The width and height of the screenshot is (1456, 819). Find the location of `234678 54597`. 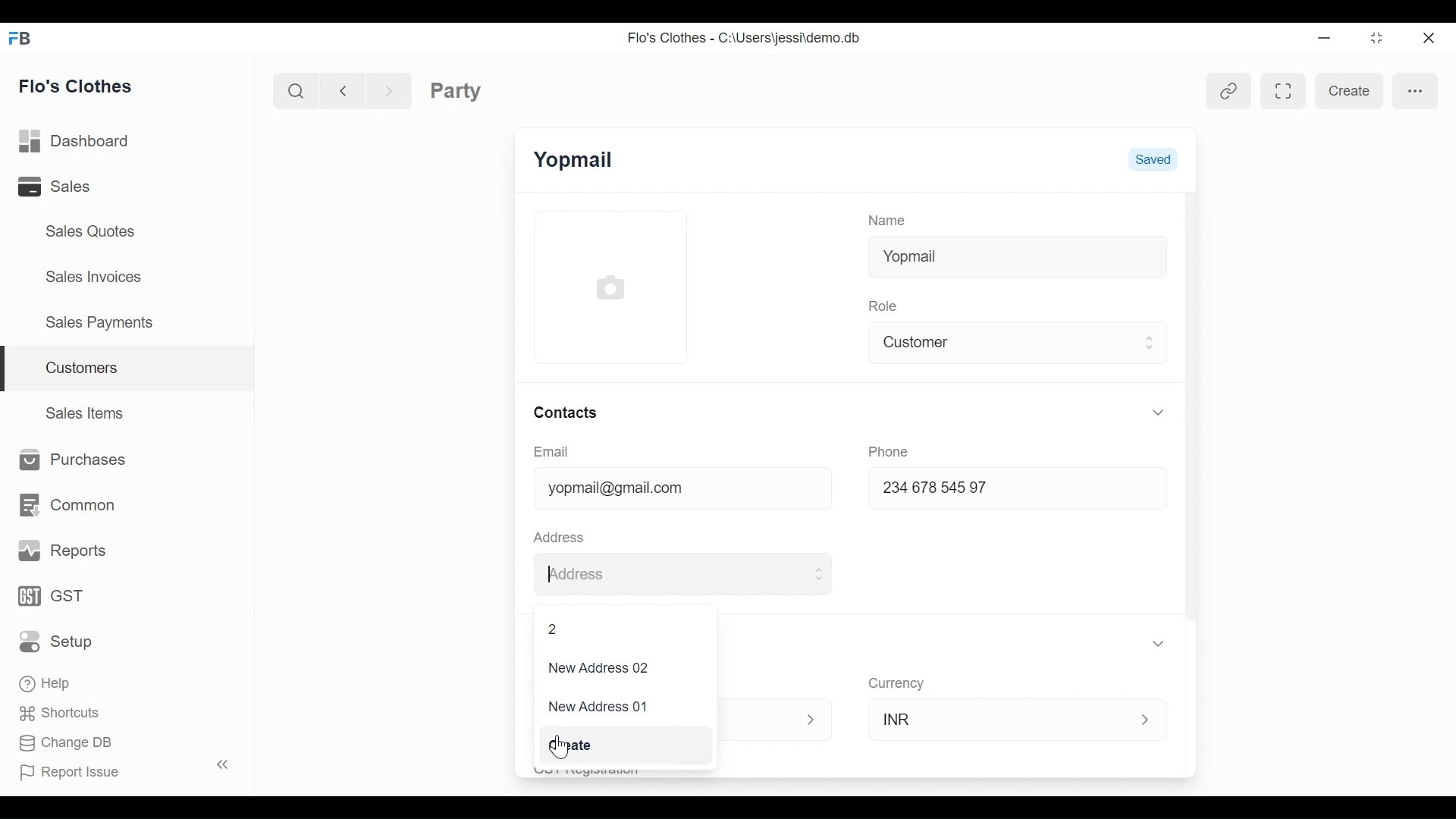

234678 54597 is located at coordinates (980, 490).